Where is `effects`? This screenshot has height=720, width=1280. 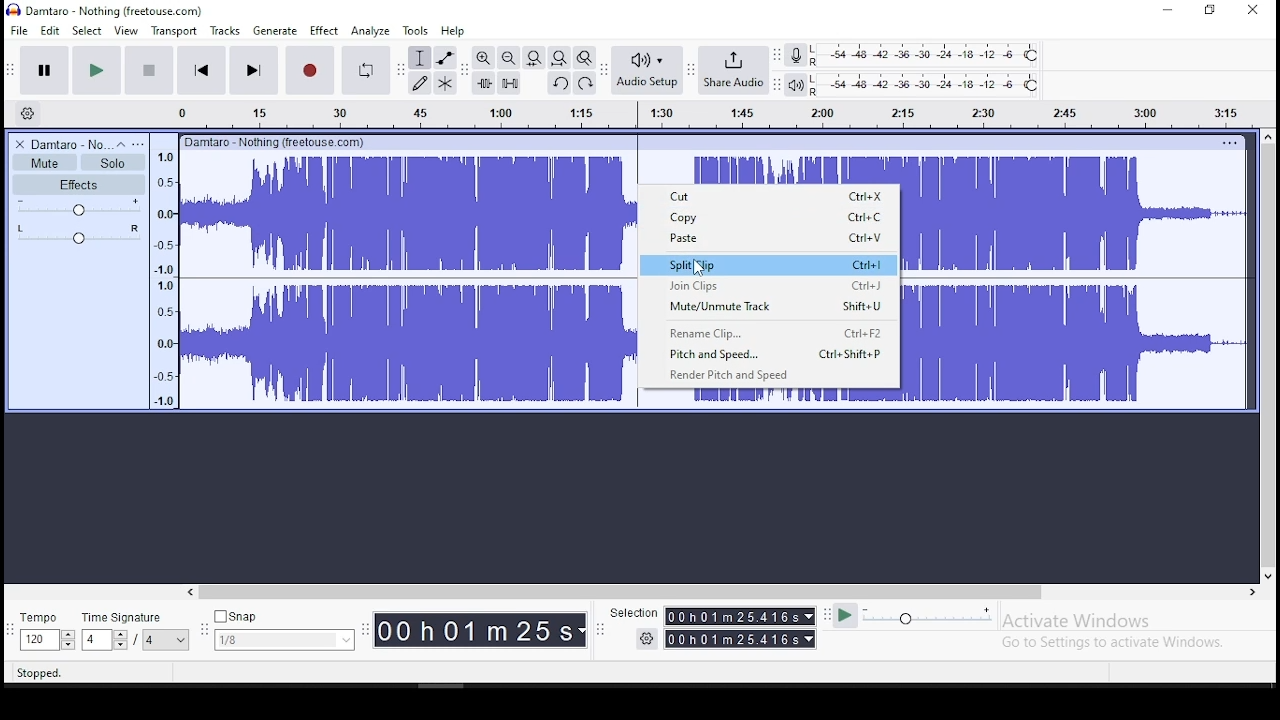
effects is located at coordinates (79, 185).